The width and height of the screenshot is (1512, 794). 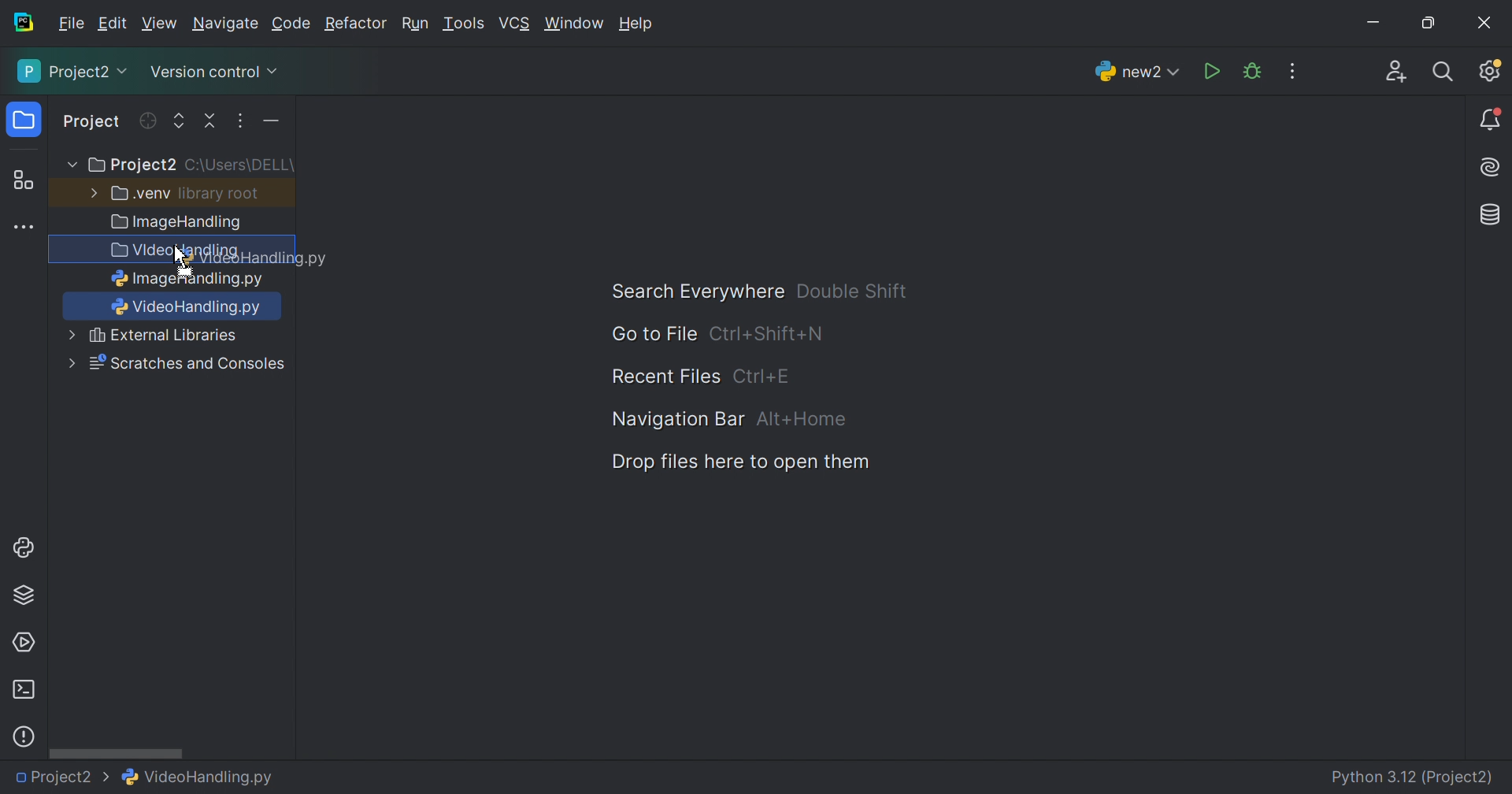 What do you see at coordinates (1396, 74) in the screenshot?
I see `Code with me` at bounding box center [1396, 74].